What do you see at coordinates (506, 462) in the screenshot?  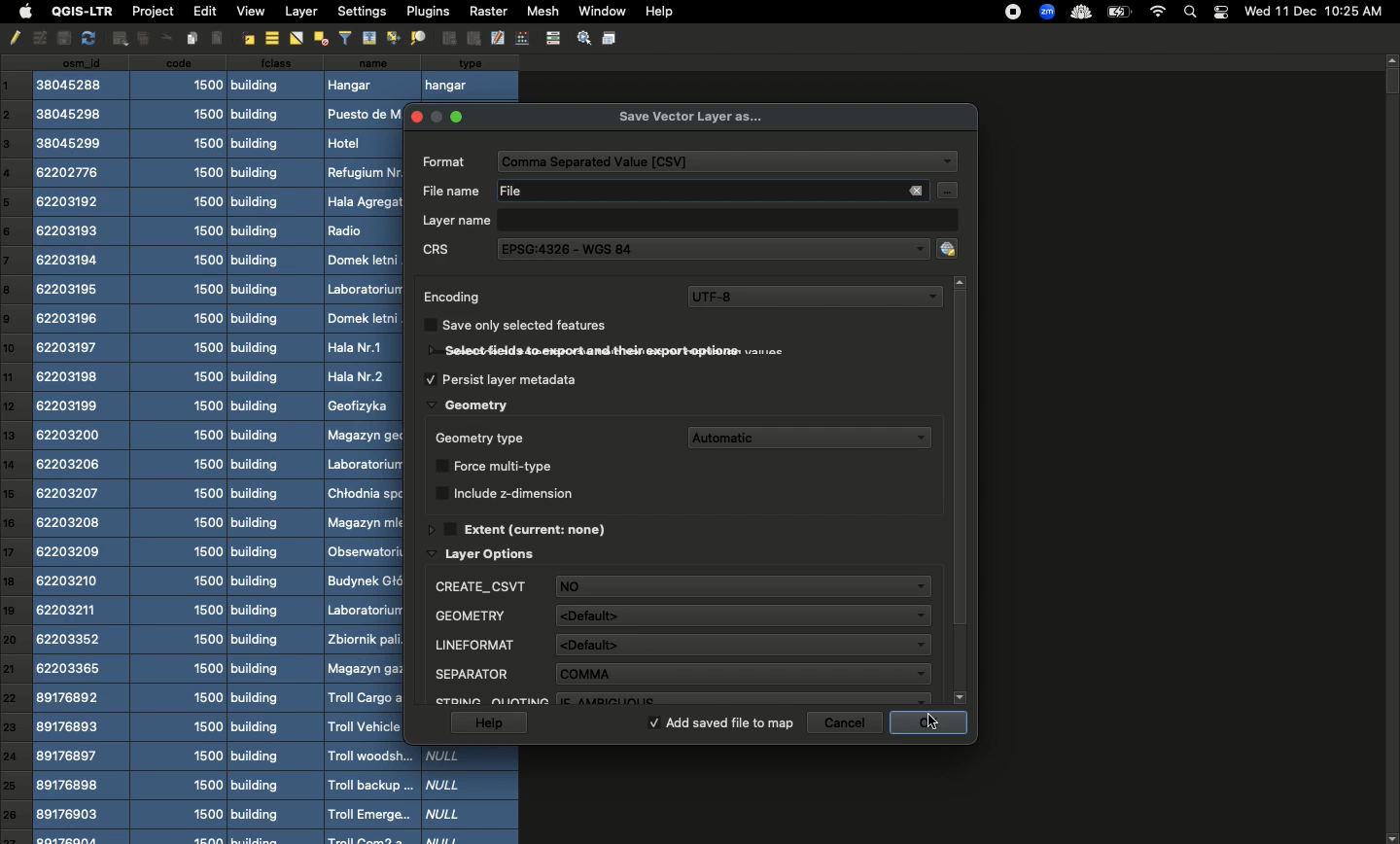 I see `Force multi type` at bounding box center [506, 462].